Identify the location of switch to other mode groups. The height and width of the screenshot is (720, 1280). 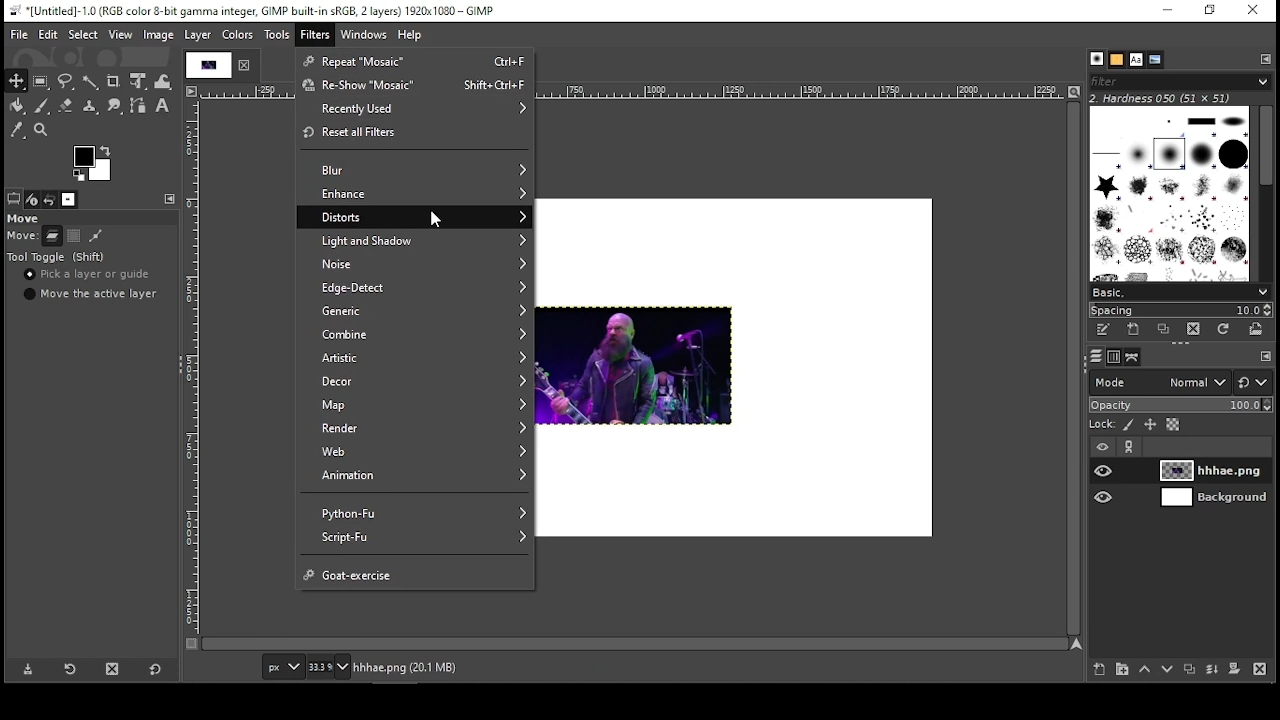
(1254, 383).